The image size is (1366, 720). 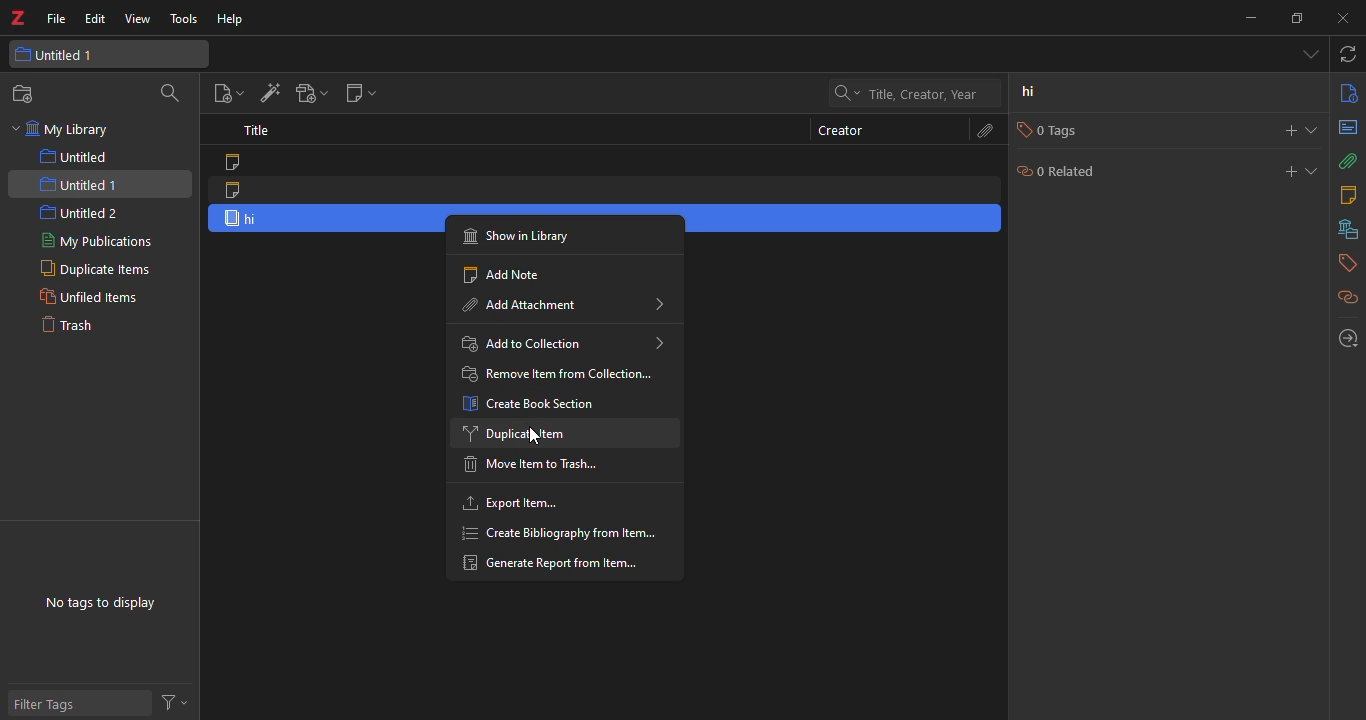 I want to click on tab, so click(x=1306, y=55).